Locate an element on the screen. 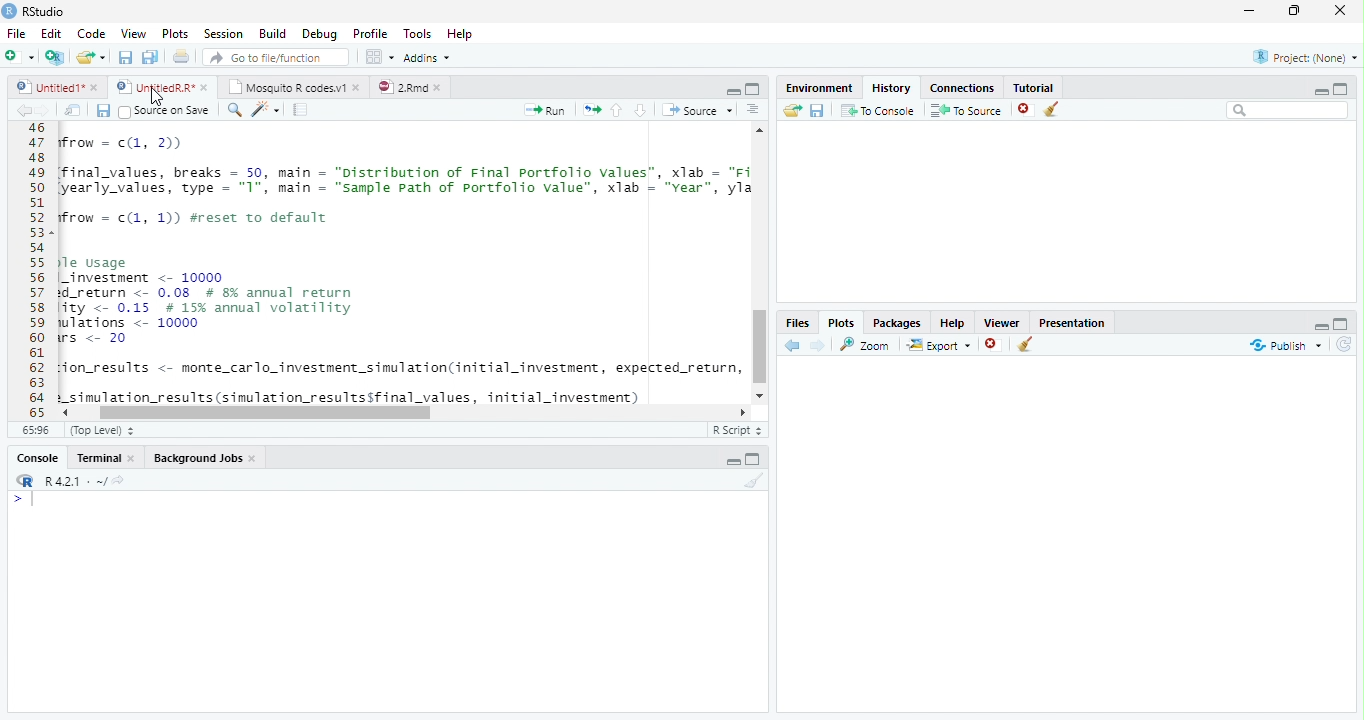  Packages is located at coordinates (896, 321).